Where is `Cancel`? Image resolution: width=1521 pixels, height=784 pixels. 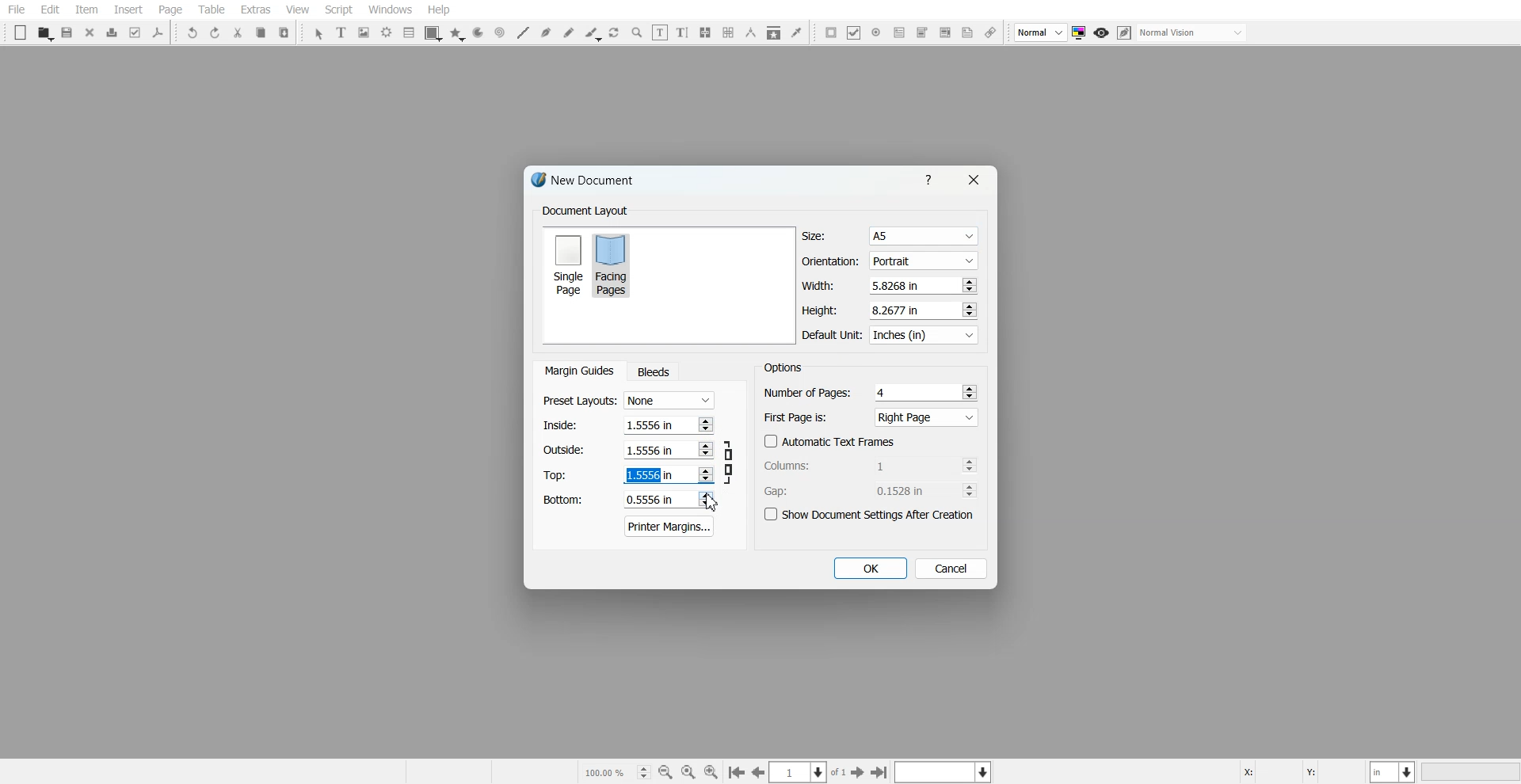
Cancel is located at coordinates (951, 568).